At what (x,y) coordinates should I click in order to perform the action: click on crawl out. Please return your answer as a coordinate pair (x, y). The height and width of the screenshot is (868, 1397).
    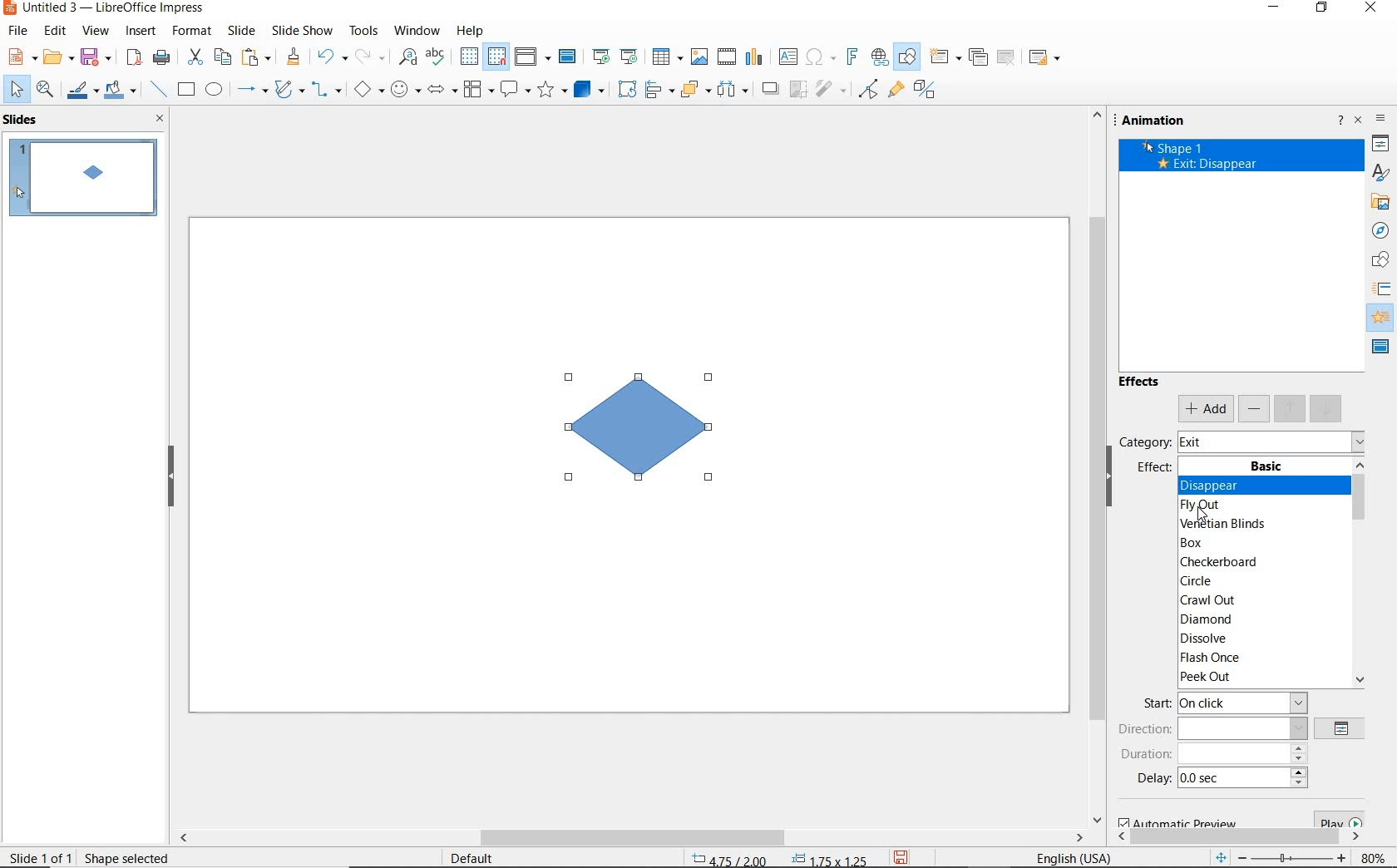
    Looking at the image, I should click on (1256, 601).